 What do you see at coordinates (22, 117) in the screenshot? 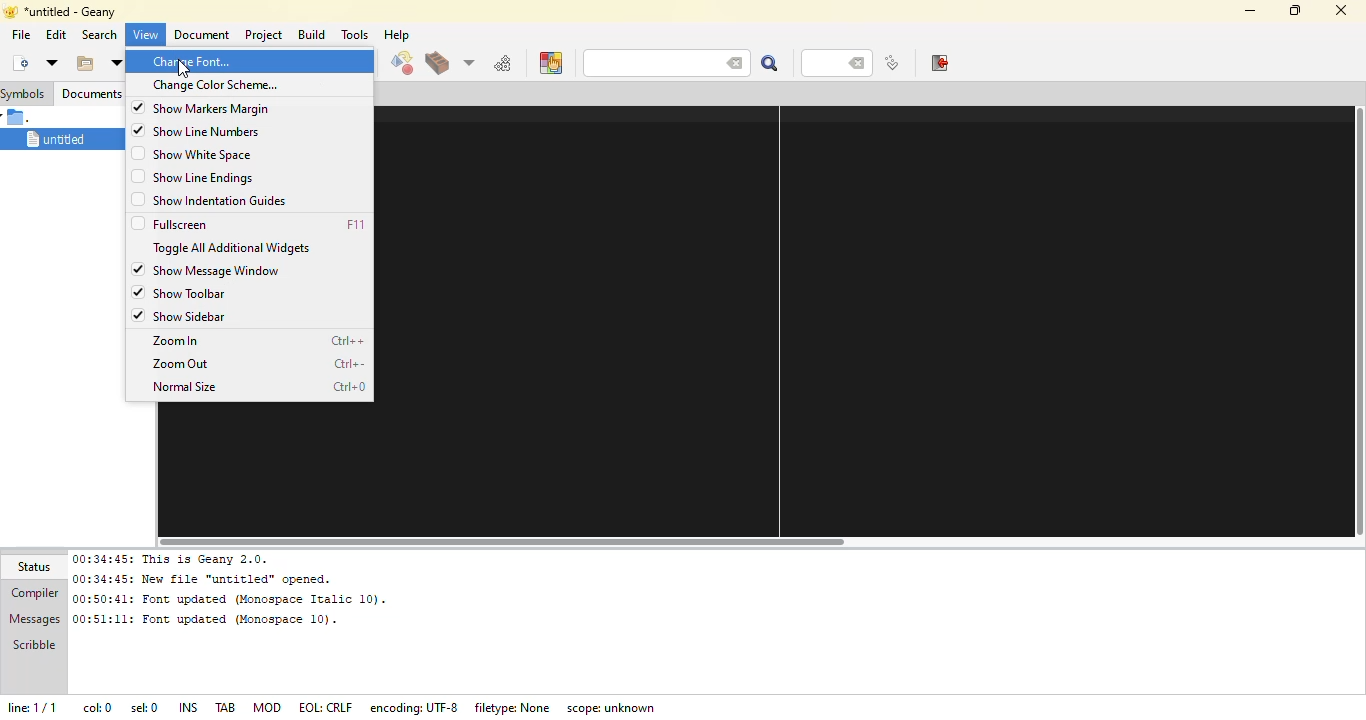
I see `.` at bounding box center [22, 117].